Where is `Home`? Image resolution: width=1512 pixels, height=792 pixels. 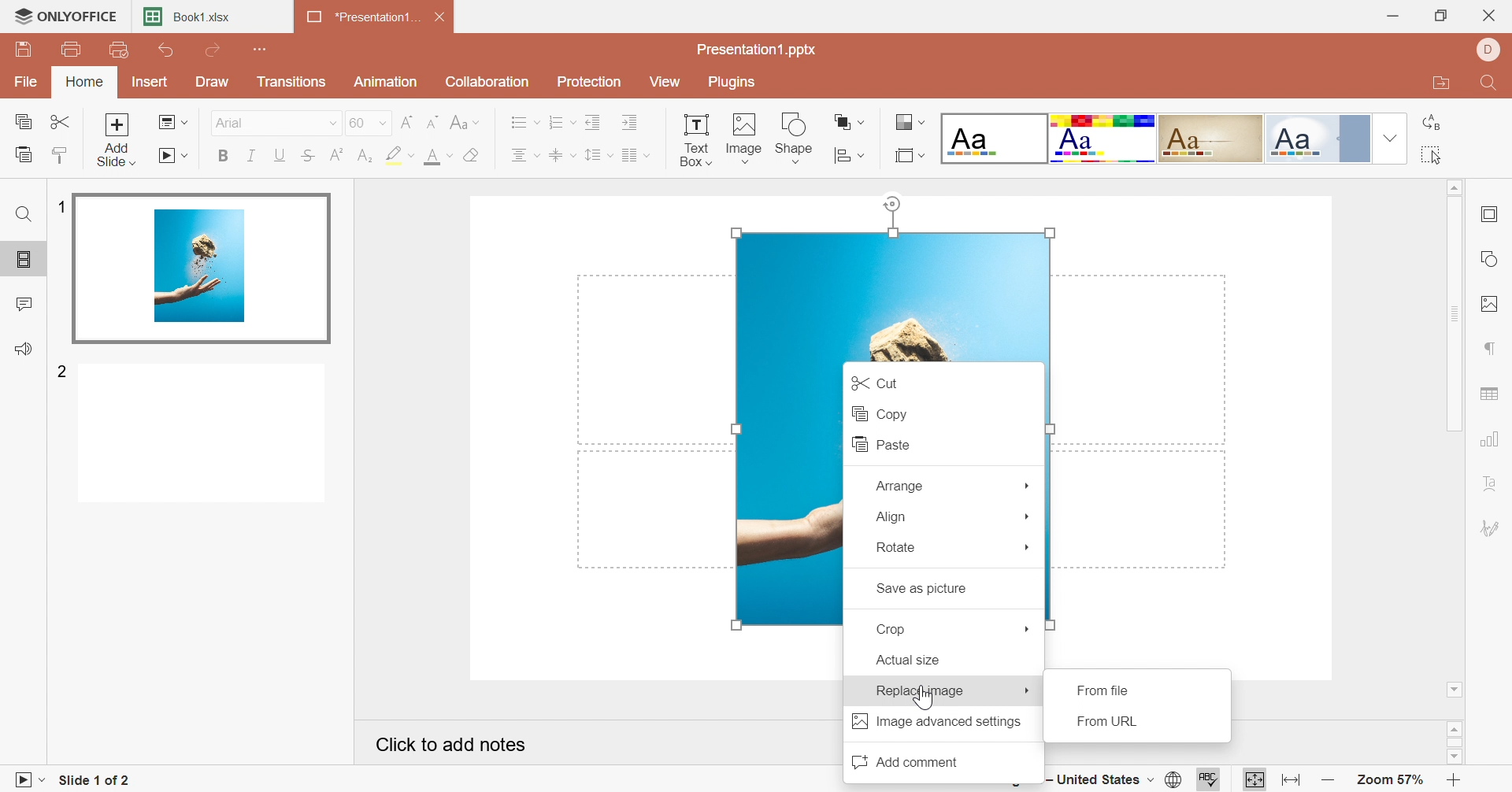
Home is located at coordinates (86, 83).